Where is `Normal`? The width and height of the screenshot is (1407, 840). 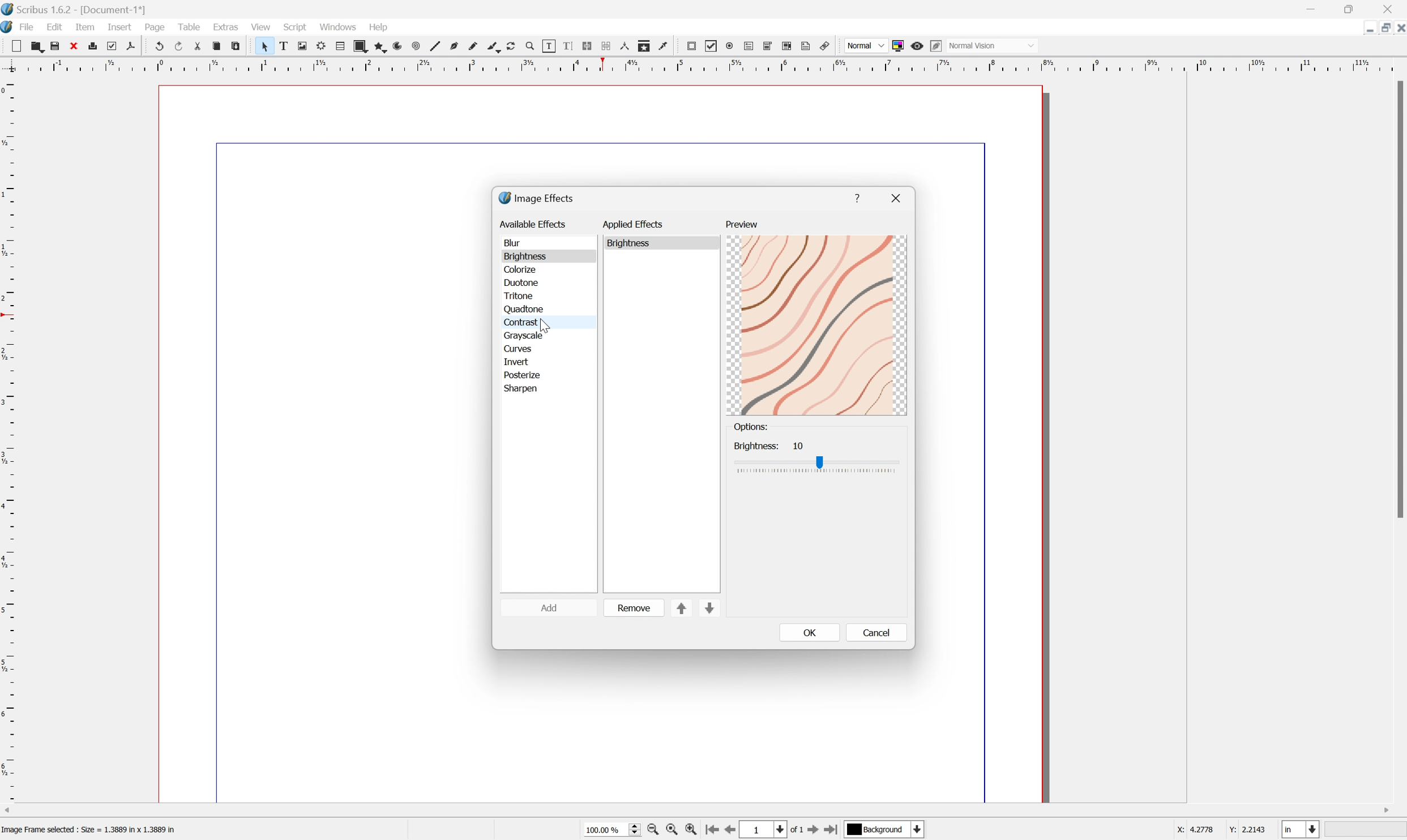 Normal is located at coordinates (865, 46).